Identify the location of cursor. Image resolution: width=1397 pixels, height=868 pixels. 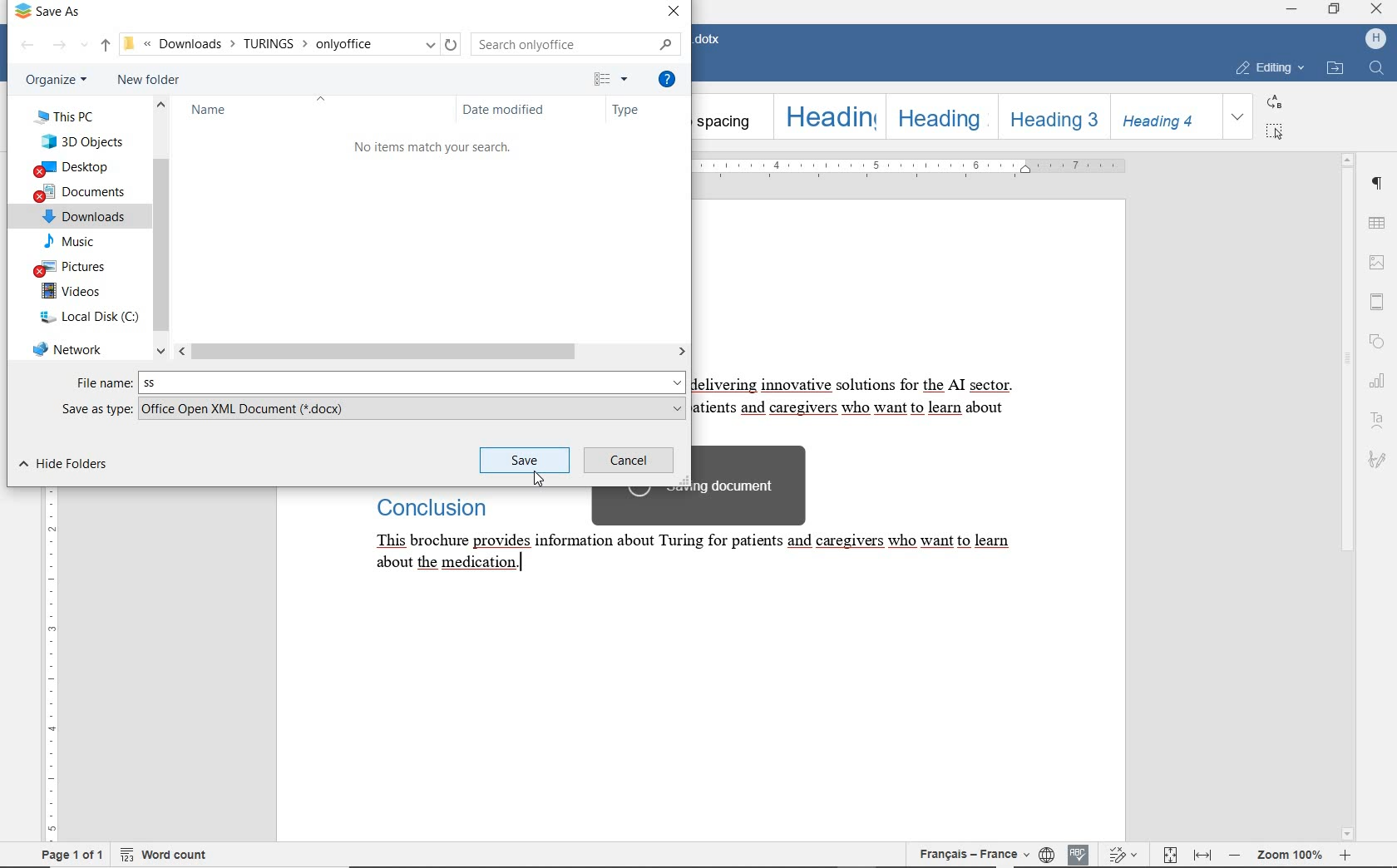
(540, 480).